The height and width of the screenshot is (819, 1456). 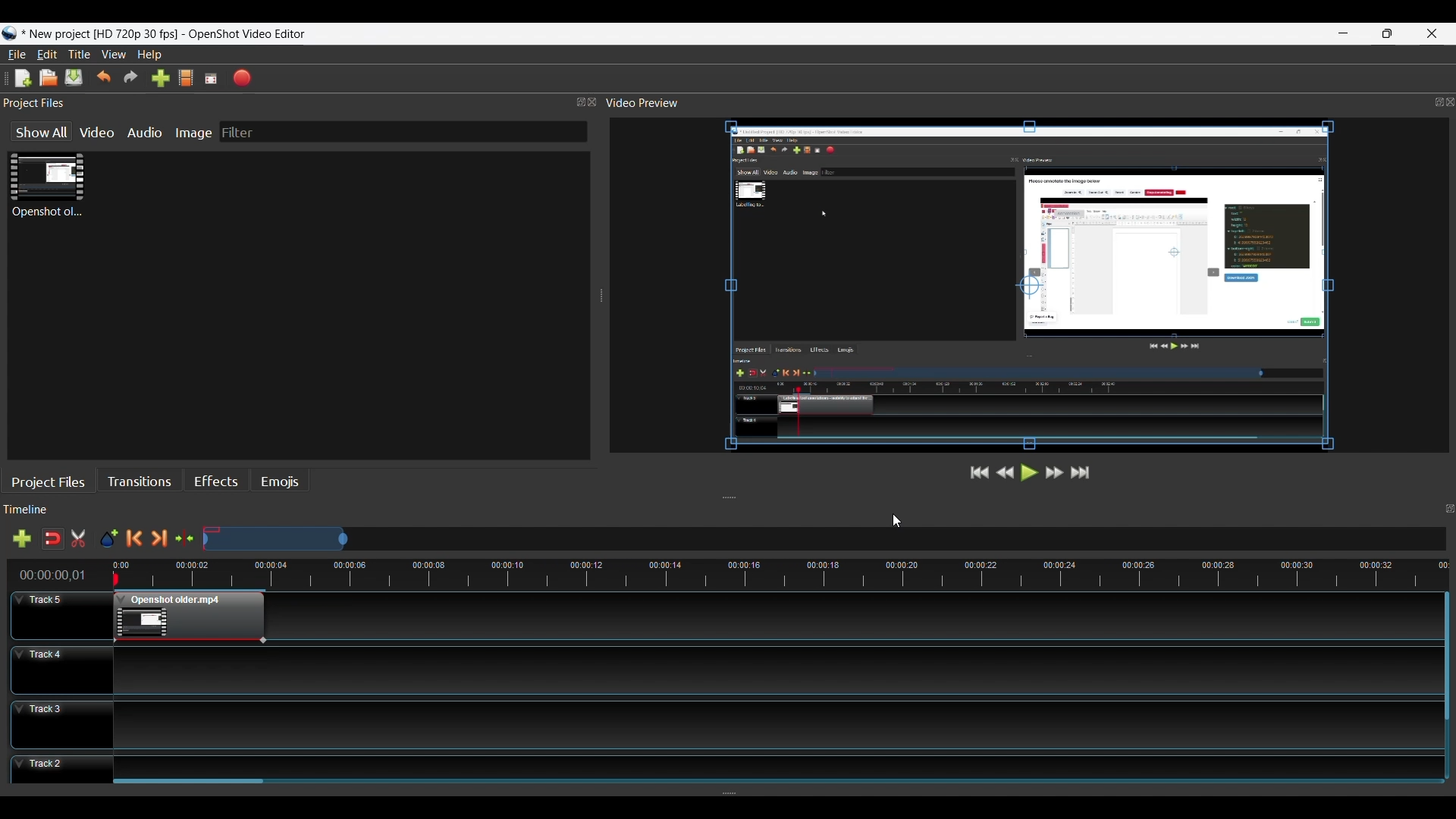 I want to click on Track Panel, so click(x=775, y=670).